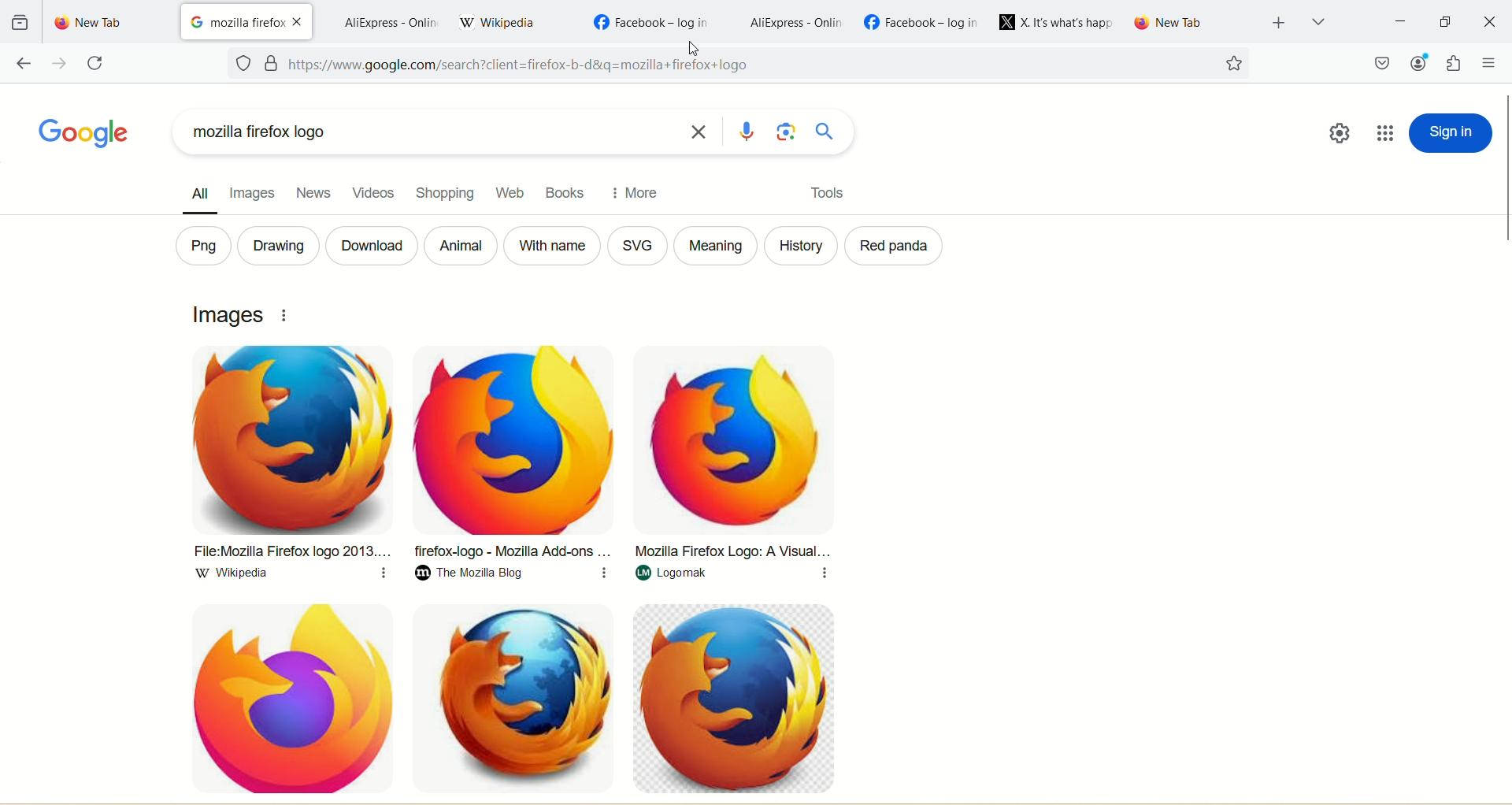 This screenshot has height=805, width=1512. Describe the element at coordinates (1385, 131) in the screenshot. I see `google apps` at that location.